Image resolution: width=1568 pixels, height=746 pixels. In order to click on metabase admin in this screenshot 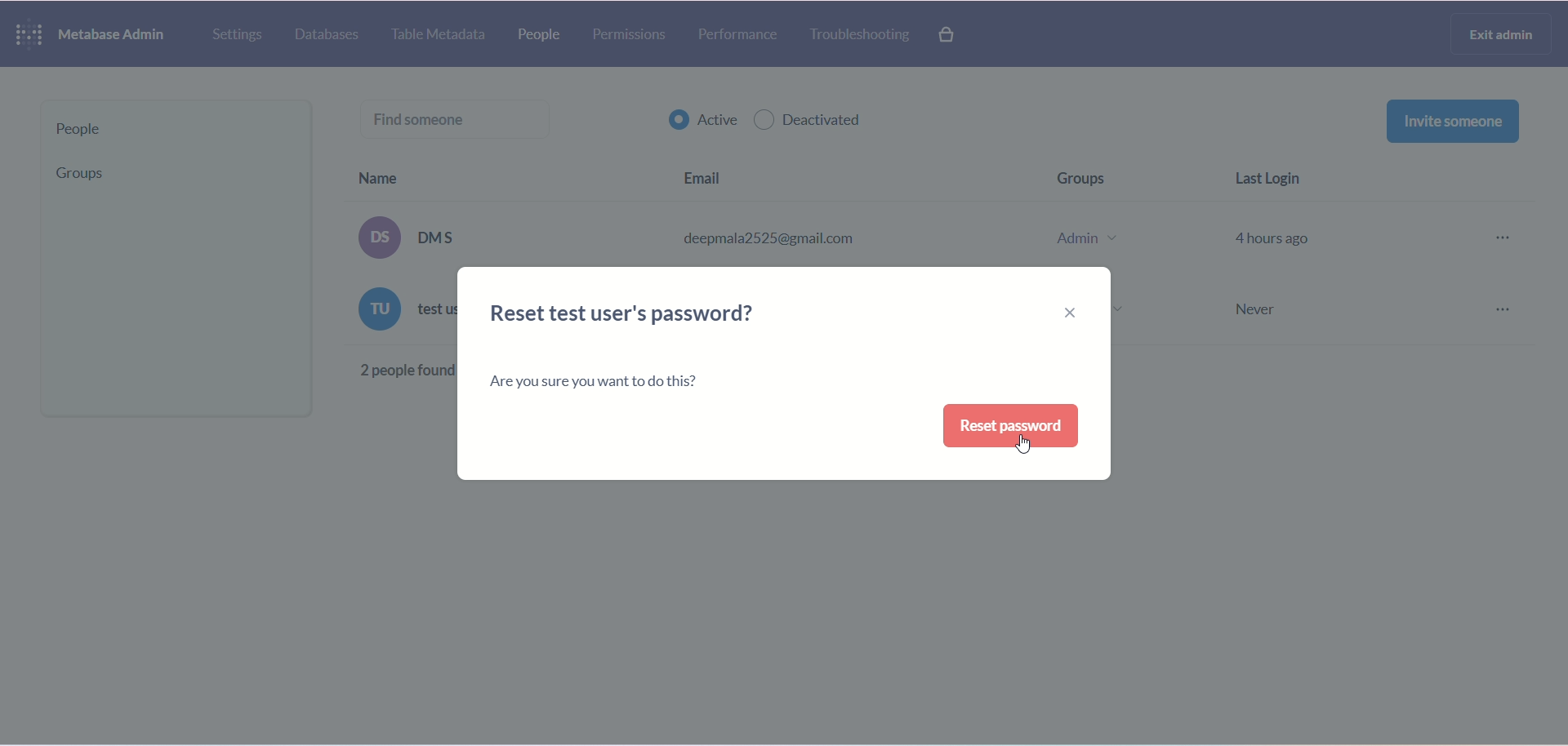, I will do `click(118, 38)`.